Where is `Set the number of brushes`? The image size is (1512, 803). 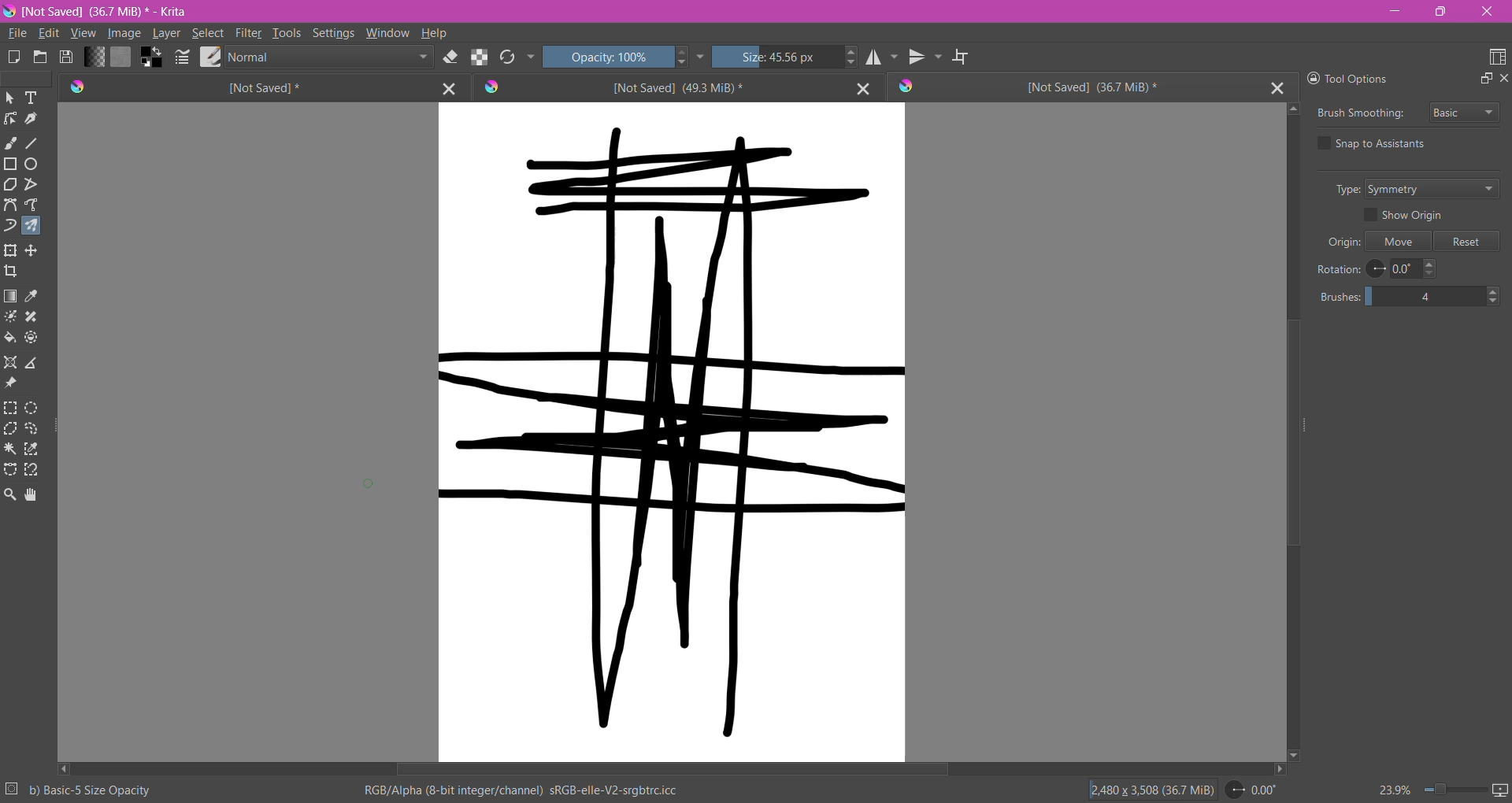 Set the number of brushes is located at coordinates (1403, 297).